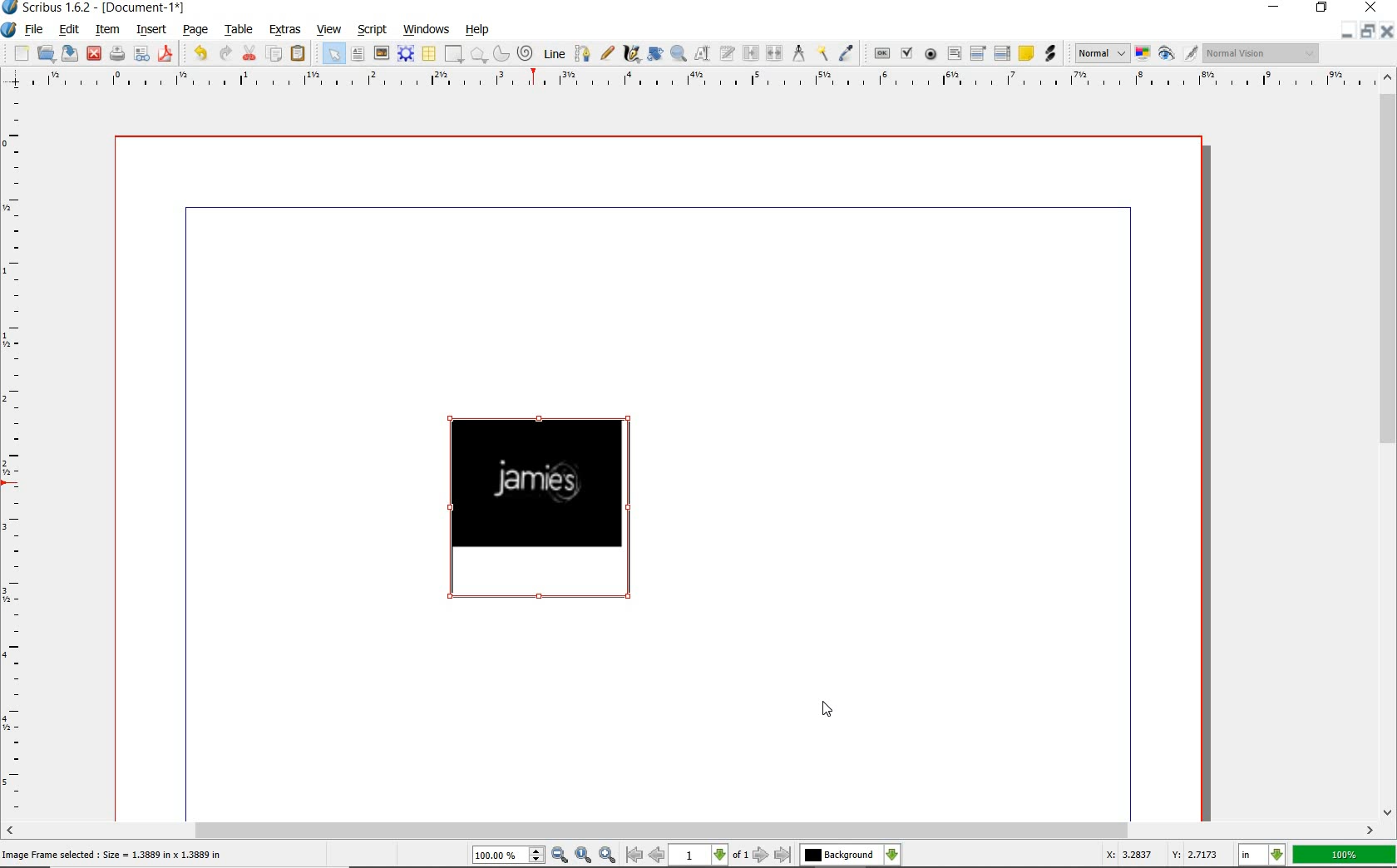 The width and height of the screenshot is (1397, 868). I want to click on RESTORE, so click(1322, 8).